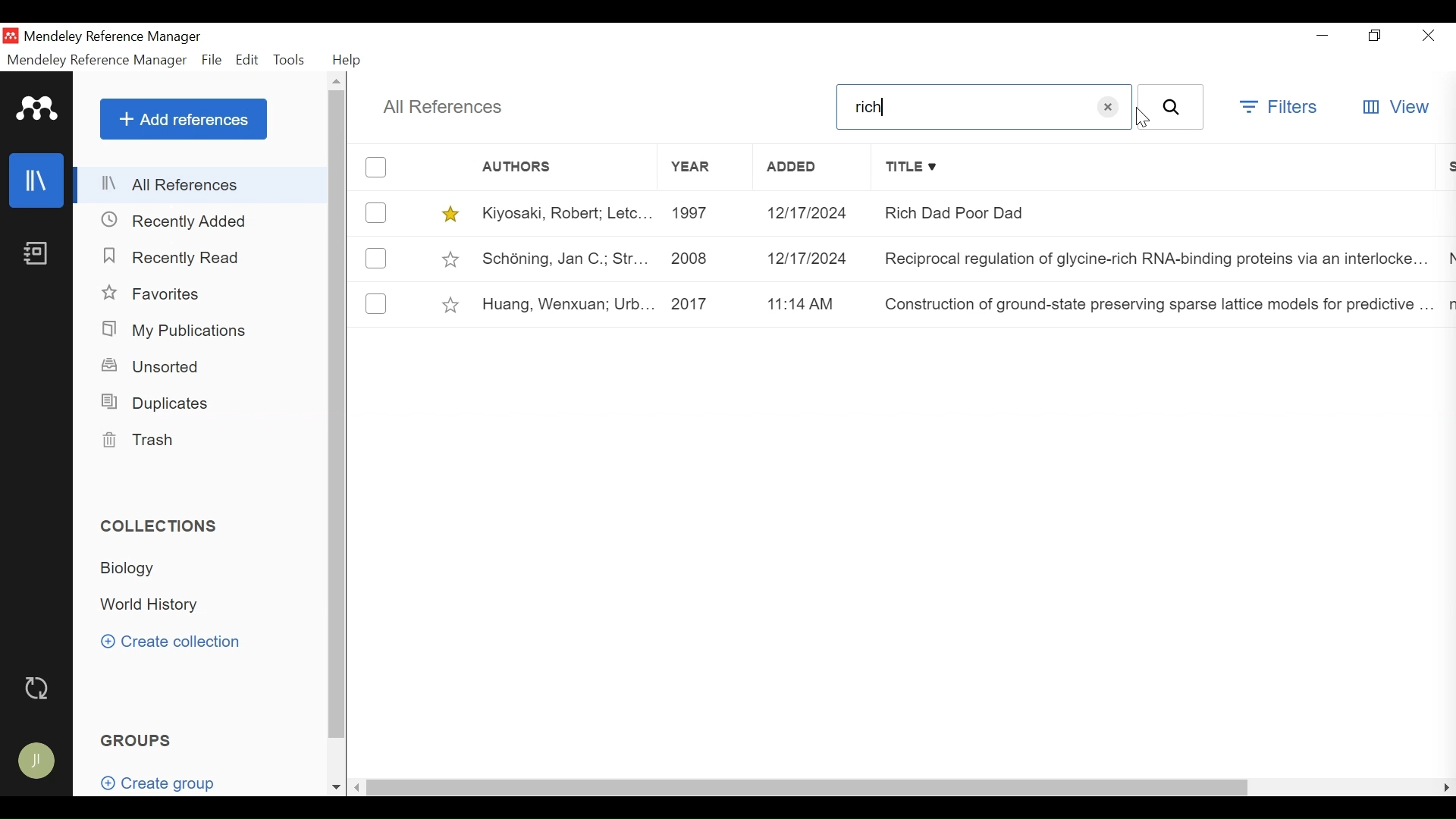 The width and height of the screenshot is (1456, 819). What do you see at coordinates (38, 252) in the screenshot?
I see `Notebook` at bounding box center [38, 252].